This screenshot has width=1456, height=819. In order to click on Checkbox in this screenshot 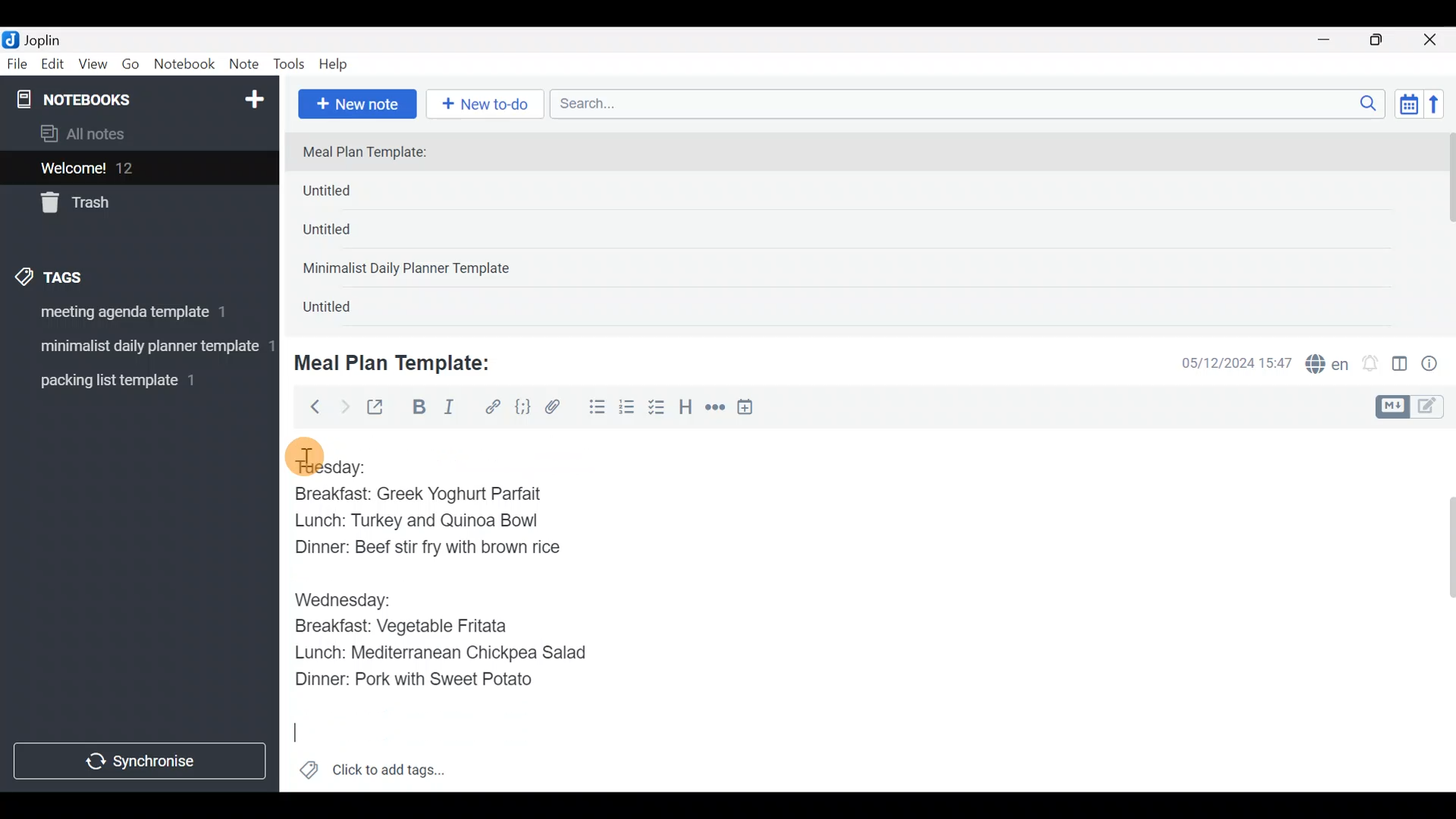, I will do `click(658, 409)`.